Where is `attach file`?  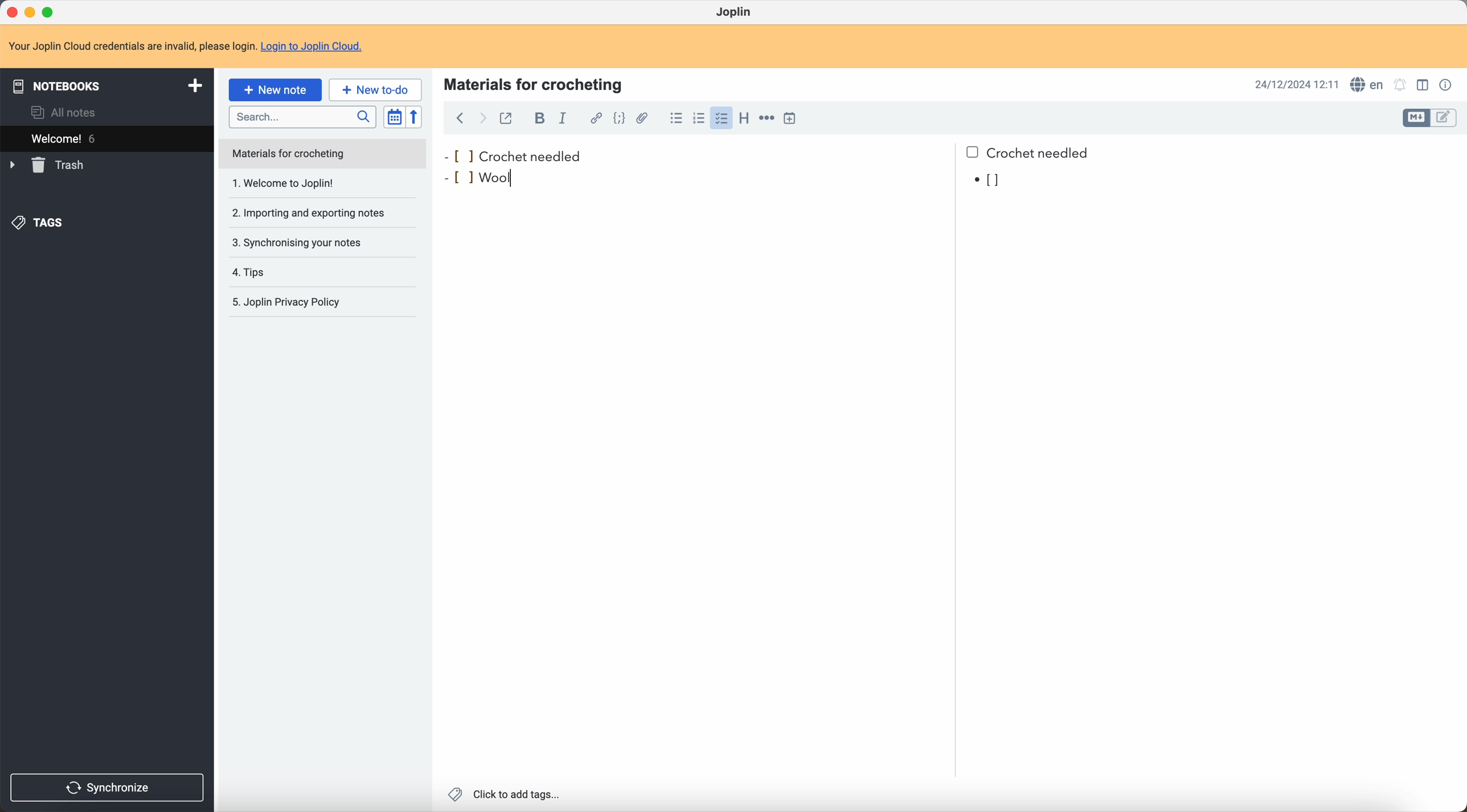
attach file is located at coordinates (645, 118).